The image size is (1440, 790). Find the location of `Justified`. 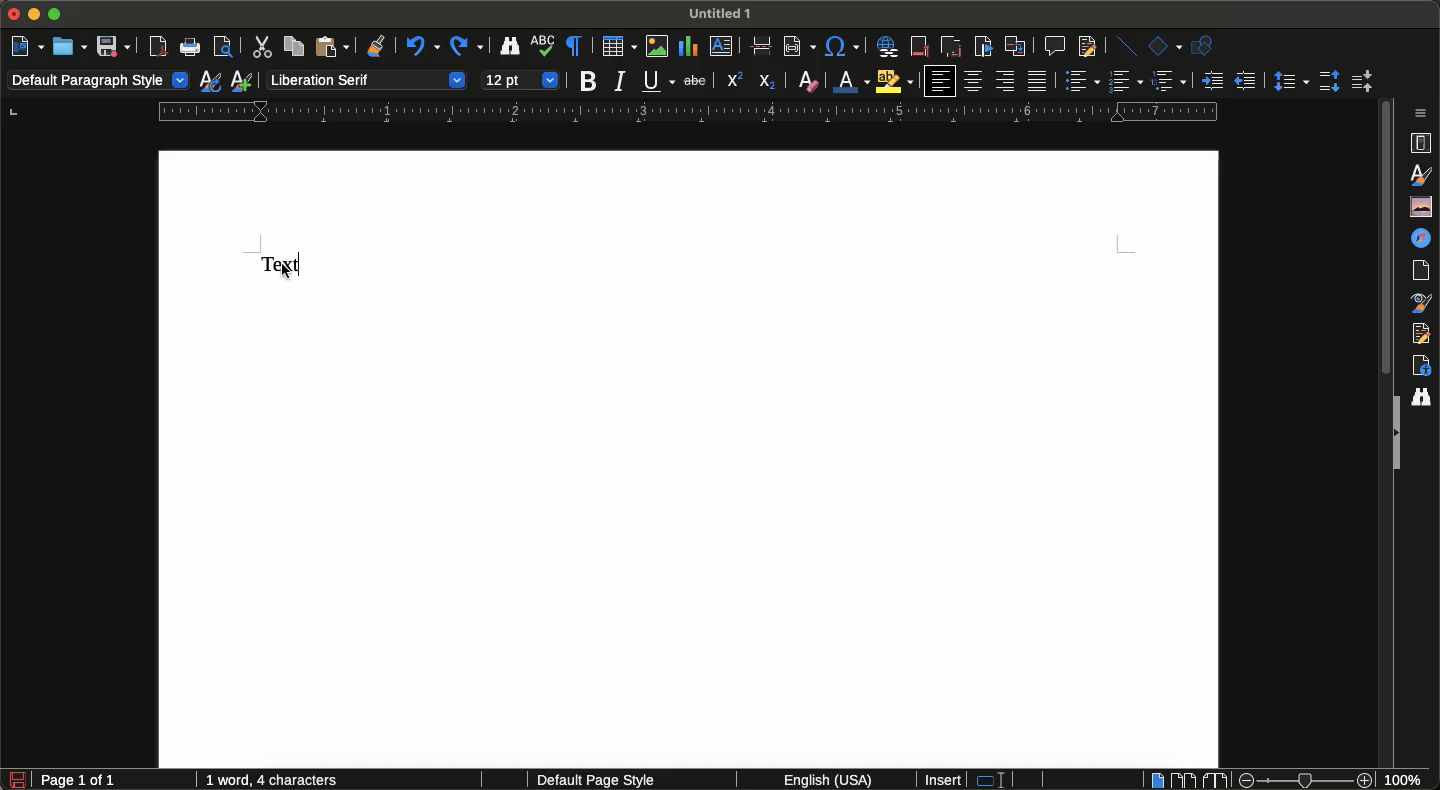

Justified is located at coordinates (1039, 81).